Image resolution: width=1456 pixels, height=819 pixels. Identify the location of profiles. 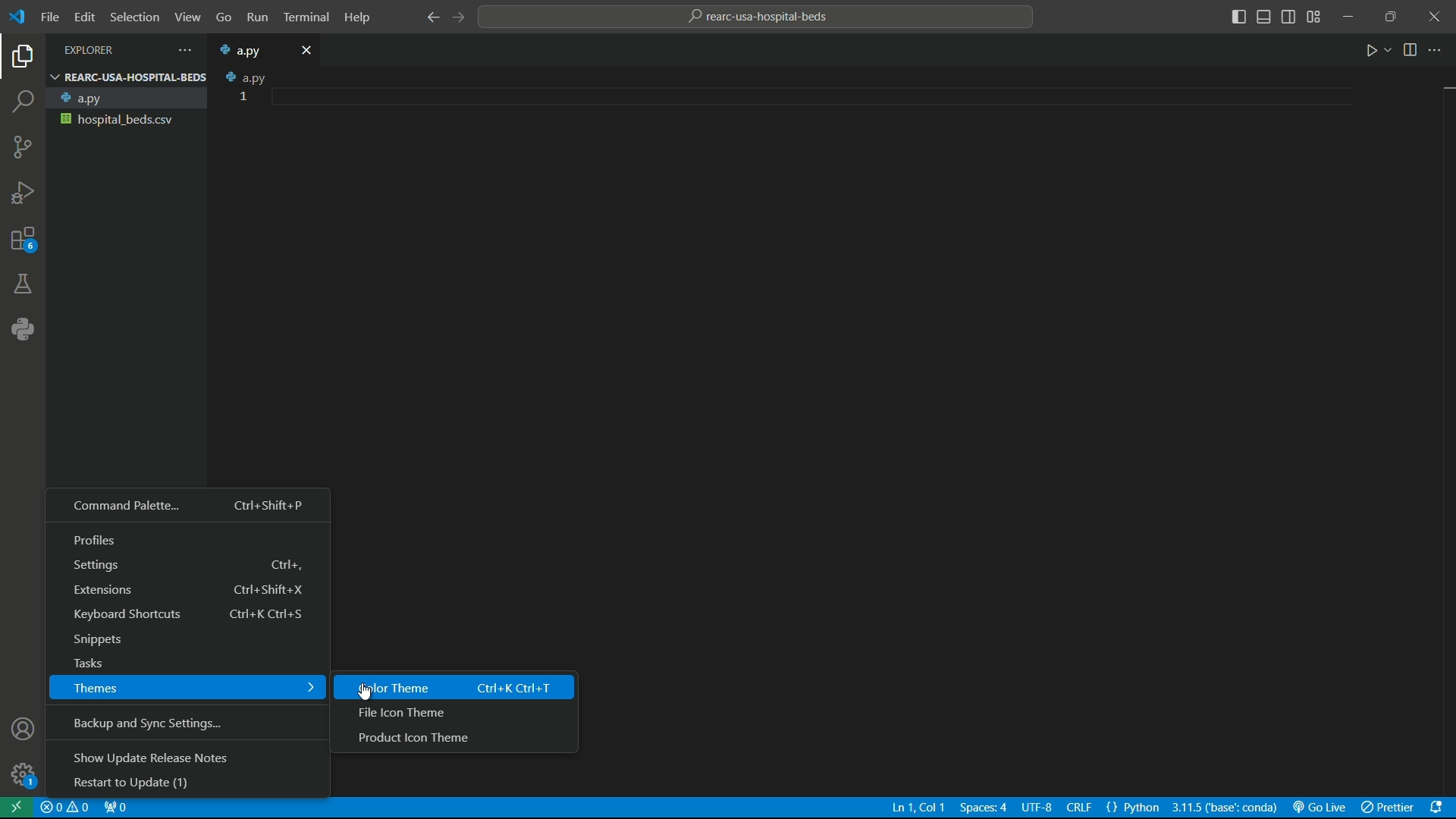
(189, 541).